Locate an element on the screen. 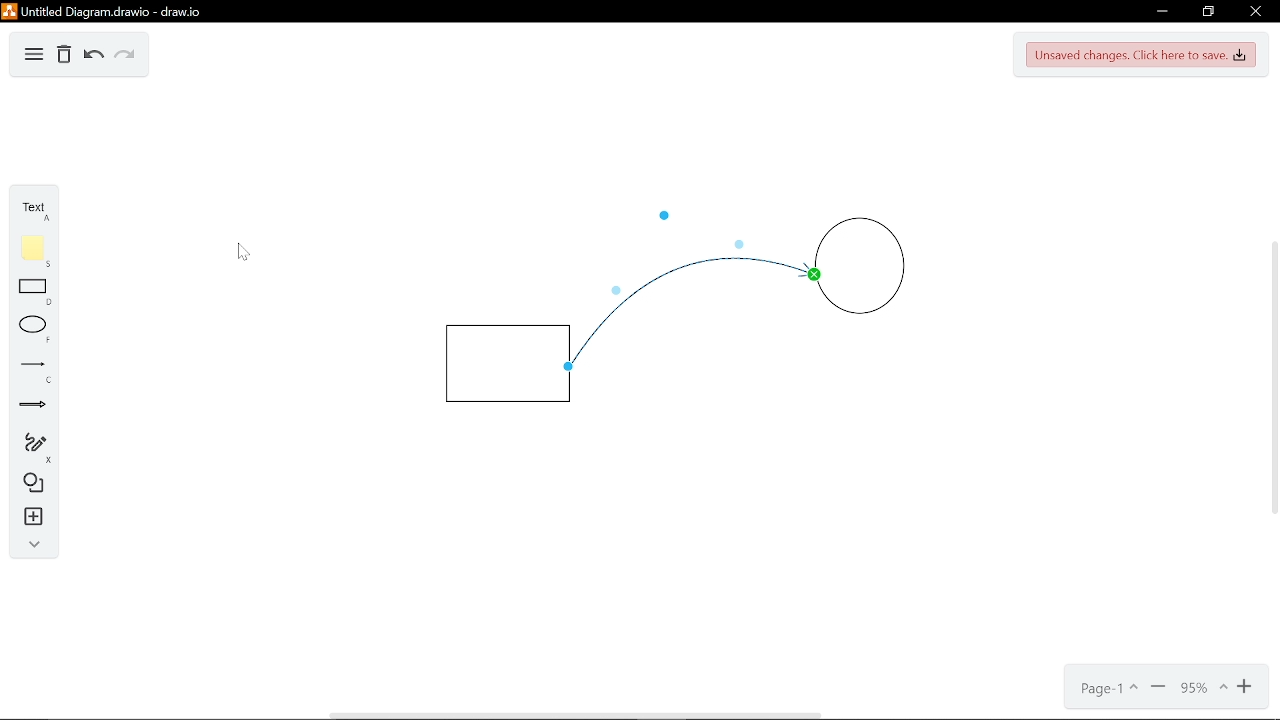 This screenshot has height=720, width=1280. ELlippse is located at coordinates (31, 327).